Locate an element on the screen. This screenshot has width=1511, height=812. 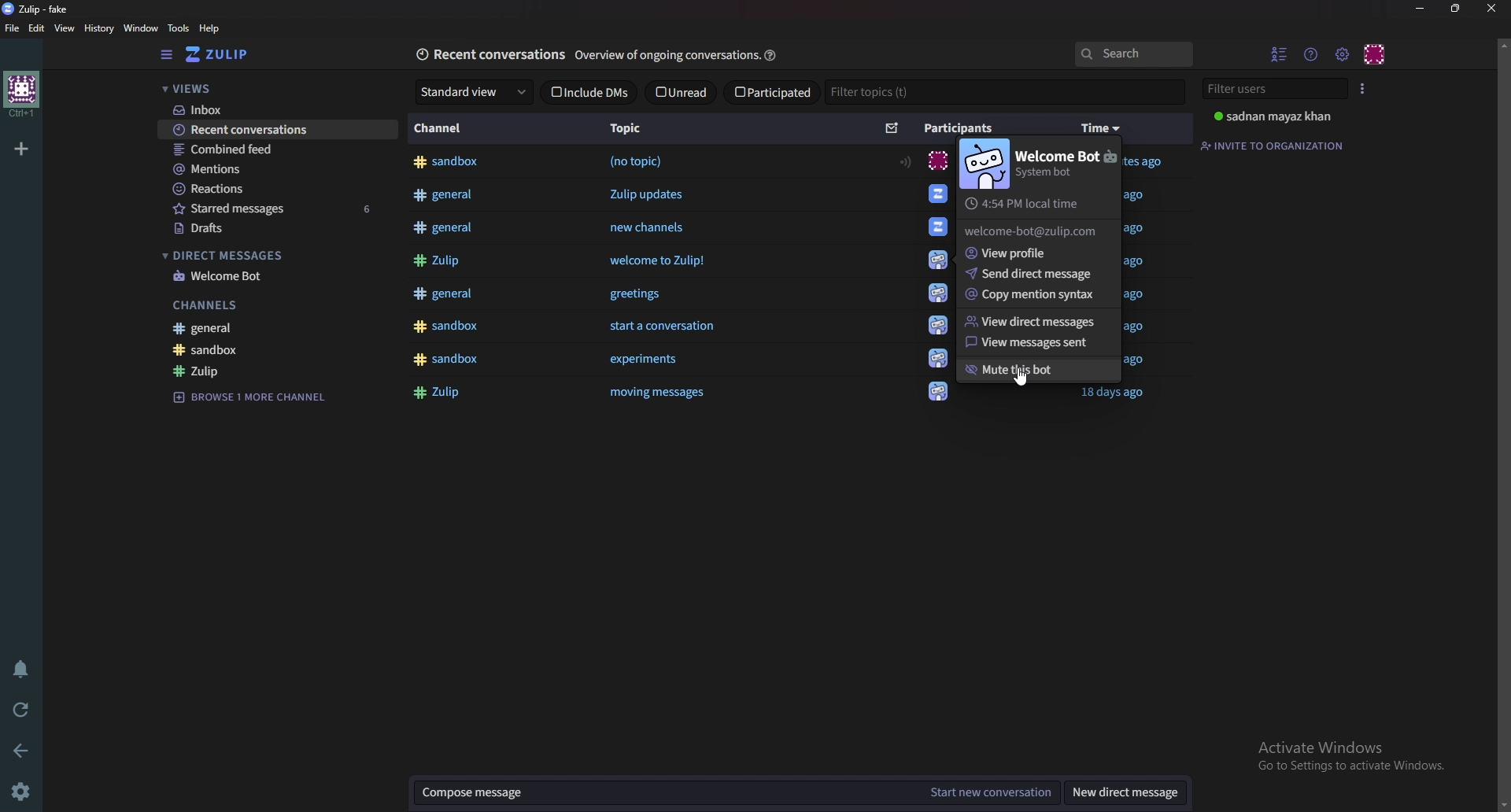
settings is located at coordinates (19, 791).